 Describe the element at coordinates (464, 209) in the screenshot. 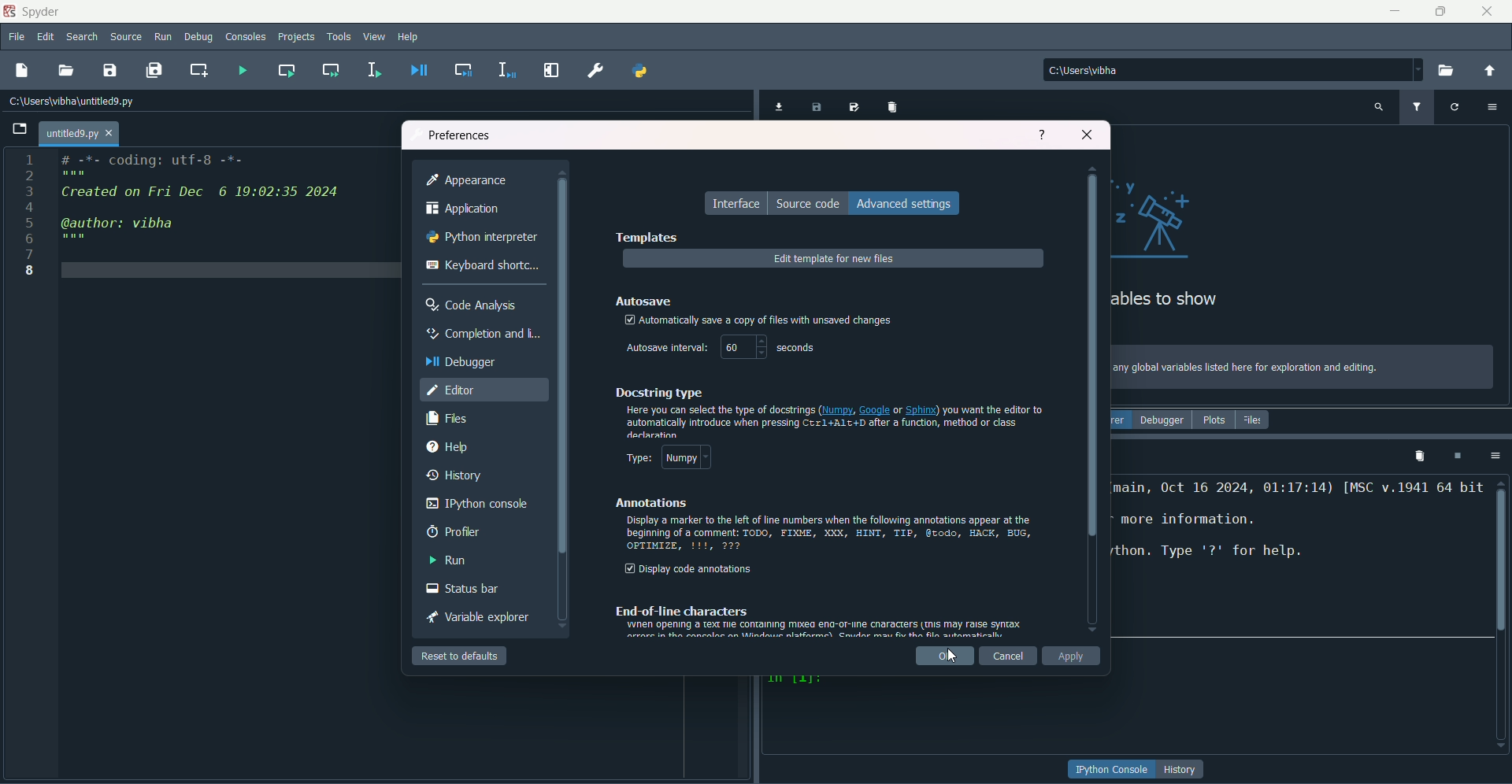

I see `application` at that location.